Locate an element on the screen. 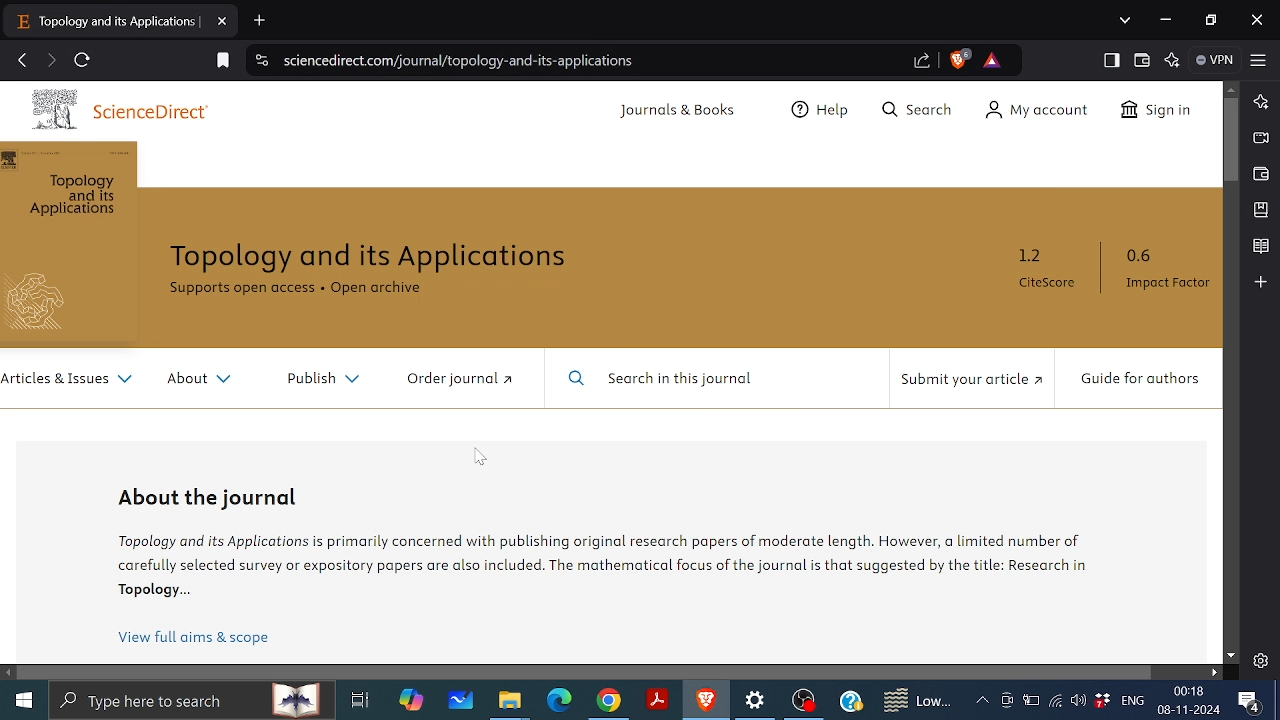 The width and height of the screenshot is (1280, 720). Internet access is located at coordinates (1052, 701).